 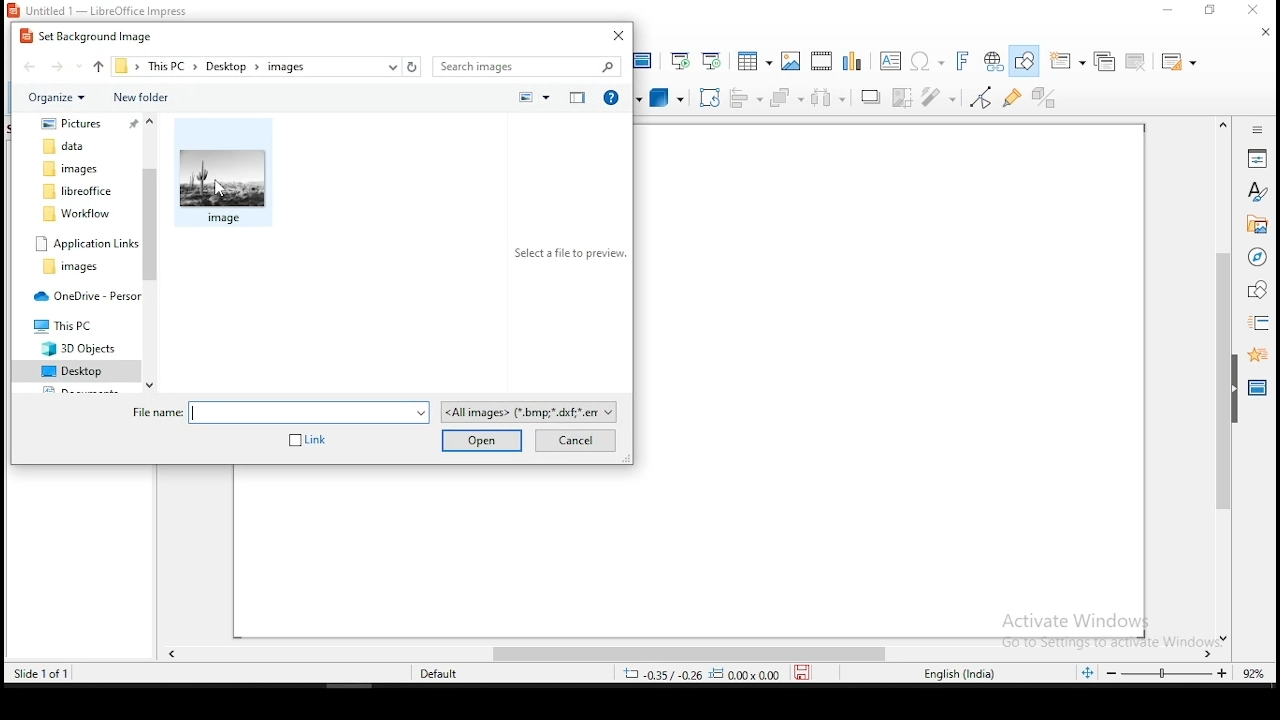 I want to click on charts, so click(x=855, y=62).